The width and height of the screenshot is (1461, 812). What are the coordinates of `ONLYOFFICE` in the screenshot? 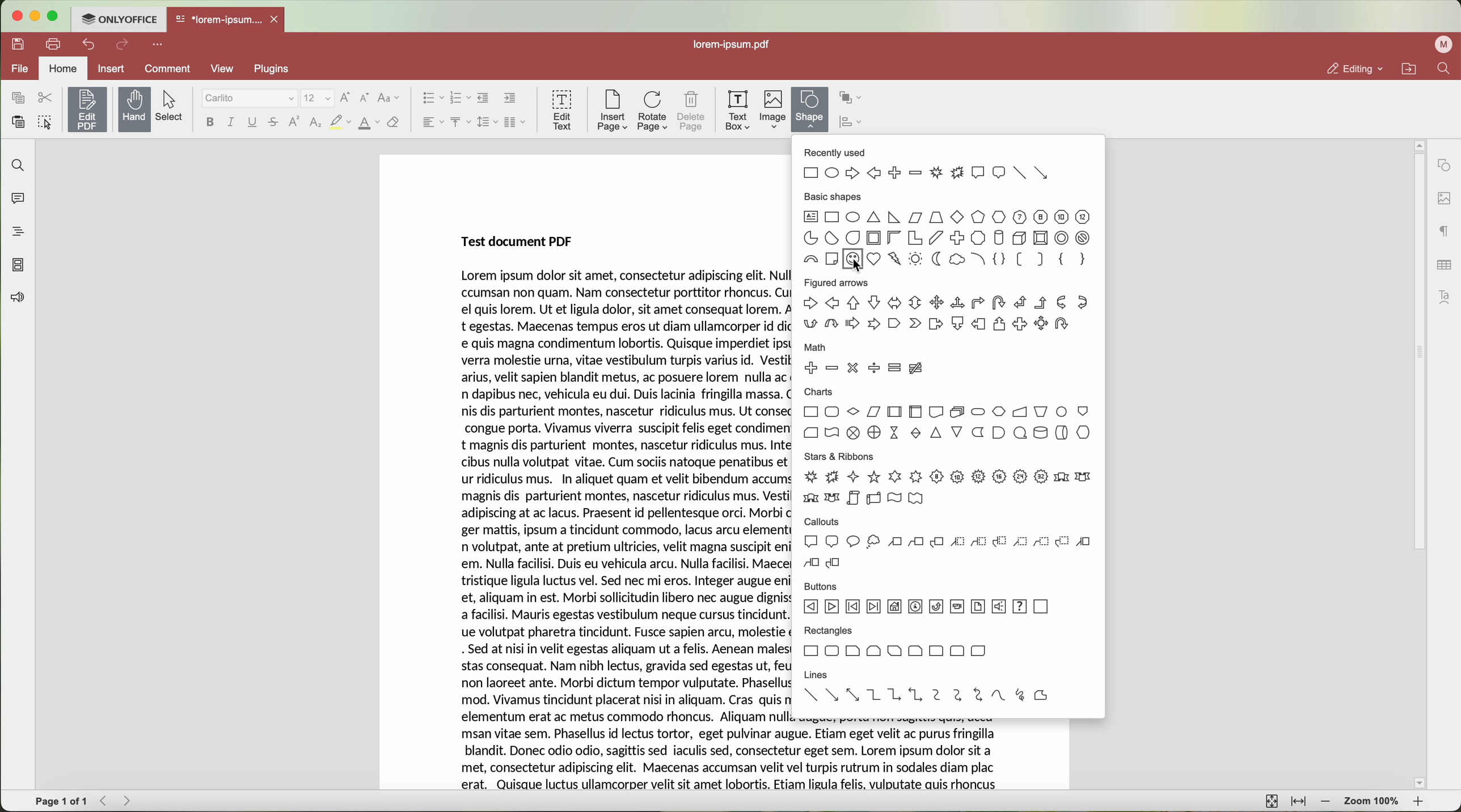 It's located at (120, 19).